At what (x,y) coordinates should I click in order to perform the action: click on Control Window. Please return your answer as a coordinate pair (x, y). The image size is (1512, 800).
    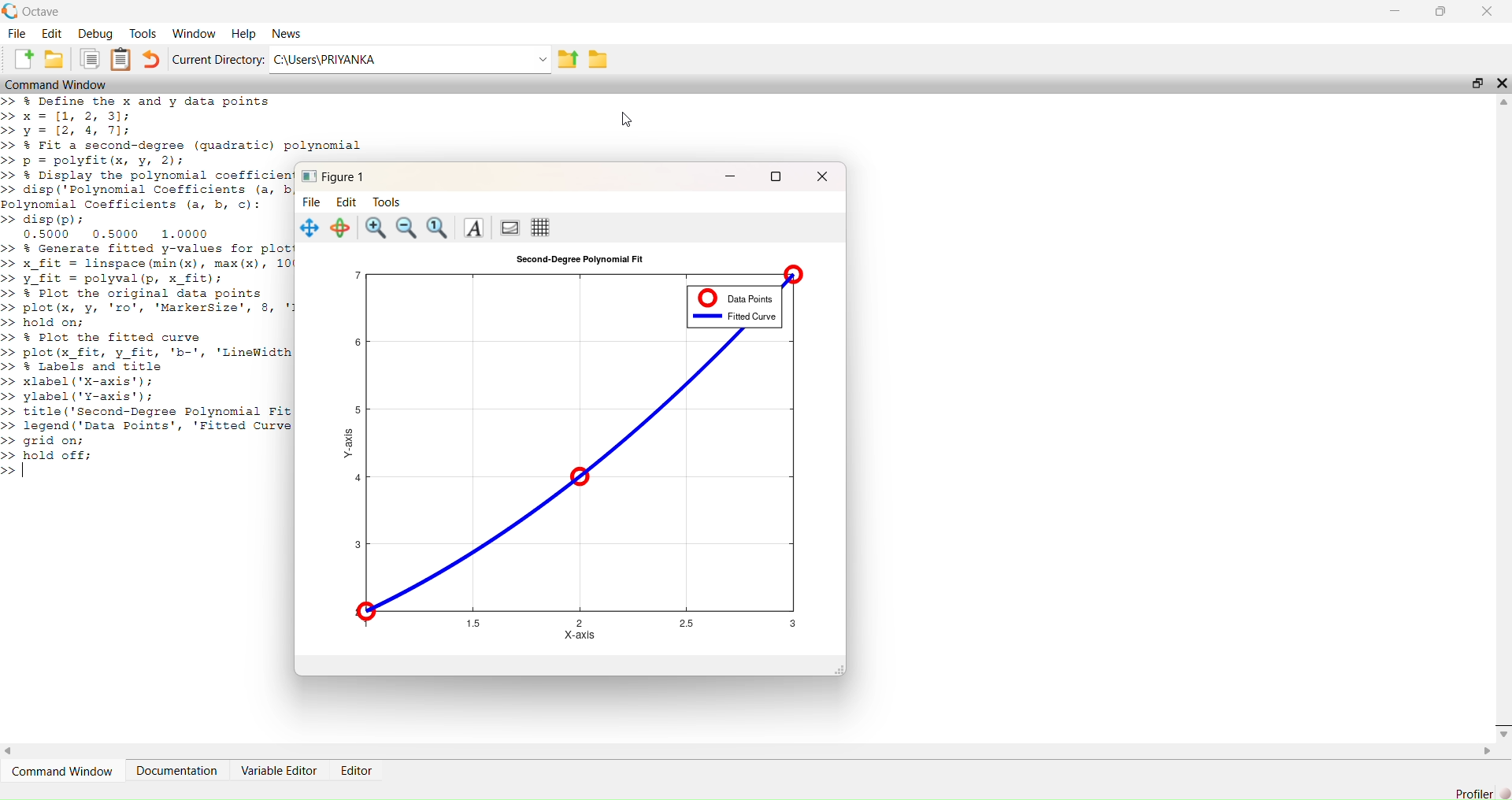
    Looking at the image, I should click on (60, 85).